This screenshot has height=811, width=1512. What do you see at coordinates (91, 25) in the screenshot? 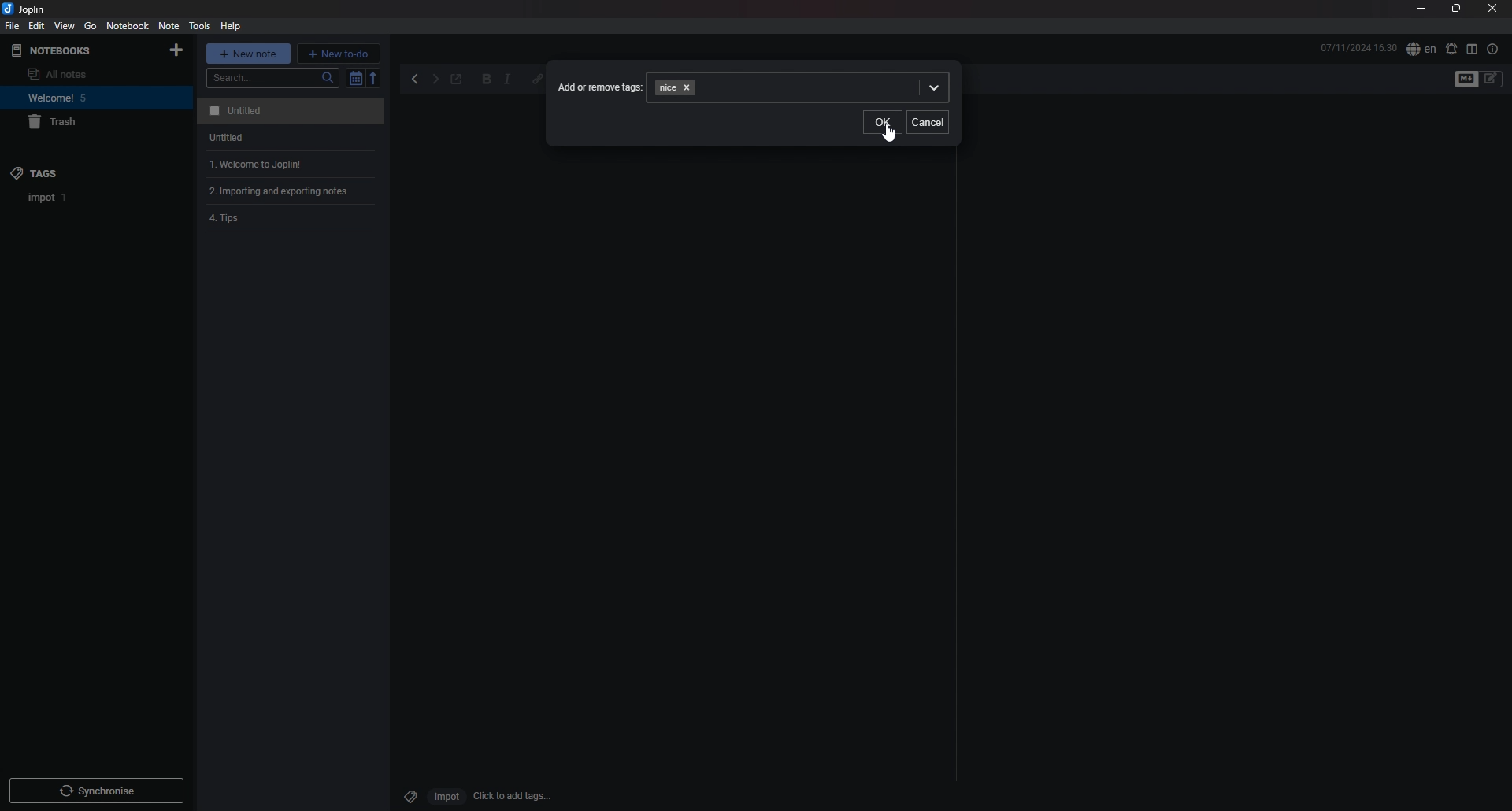
I see `go` at bounding box center [91, 25].